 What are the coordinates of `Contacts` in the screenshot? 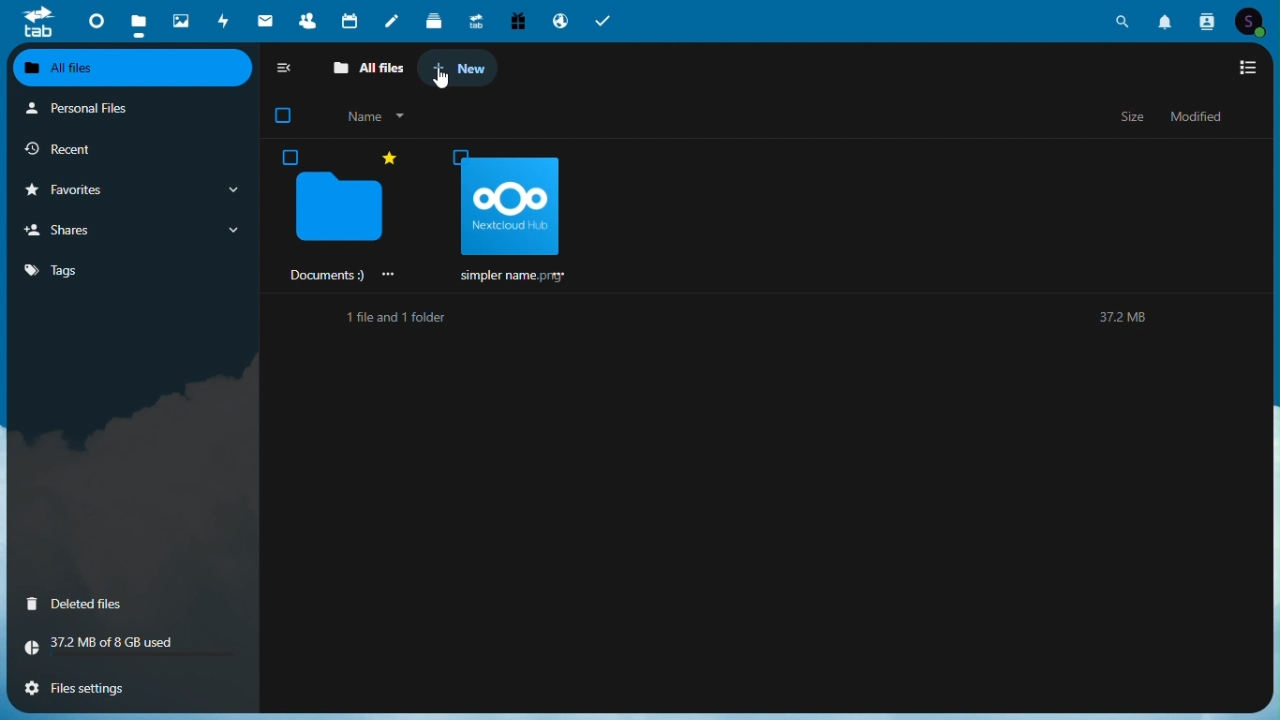 It's located at (1208, 19).